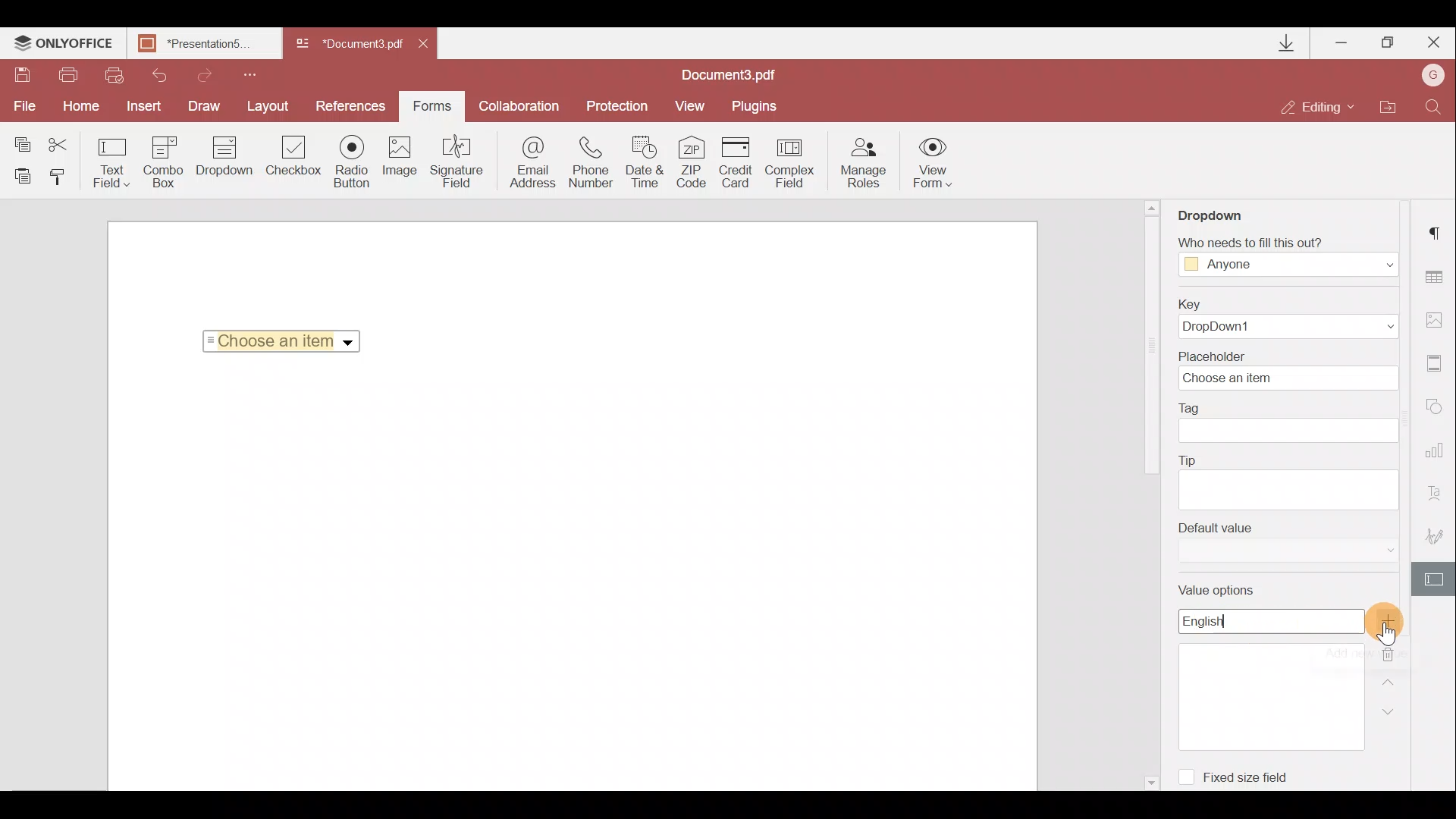 This screenshot has width=1456, height=819. Describe the element at coordinates (1389, 42) in the screenshot. I see `Maximize` at that location.